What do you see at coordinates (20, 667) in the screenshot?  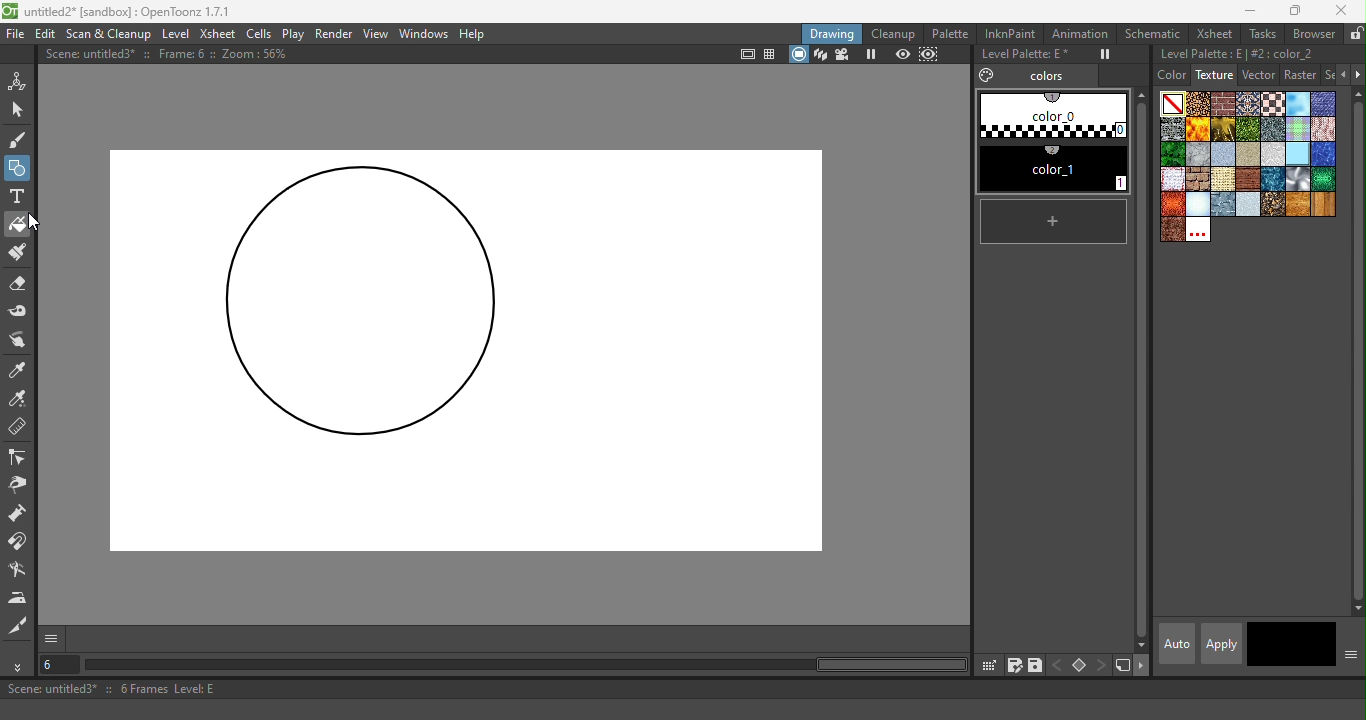 I see `More tools` at bounding box center [20, 667].